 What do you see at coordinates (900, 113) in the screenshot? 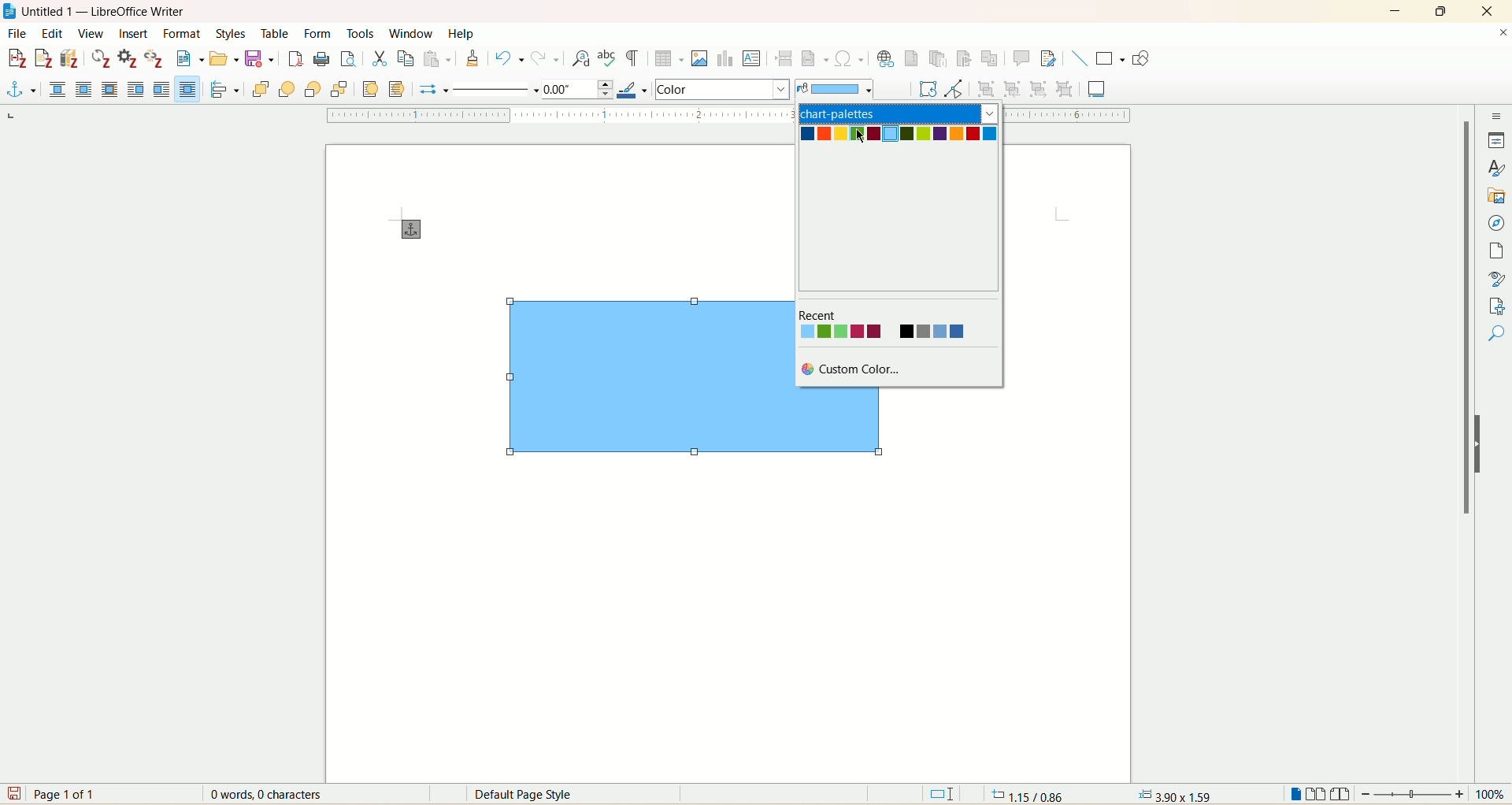
I see `chart-palettes` at bounding box center [900, 113].